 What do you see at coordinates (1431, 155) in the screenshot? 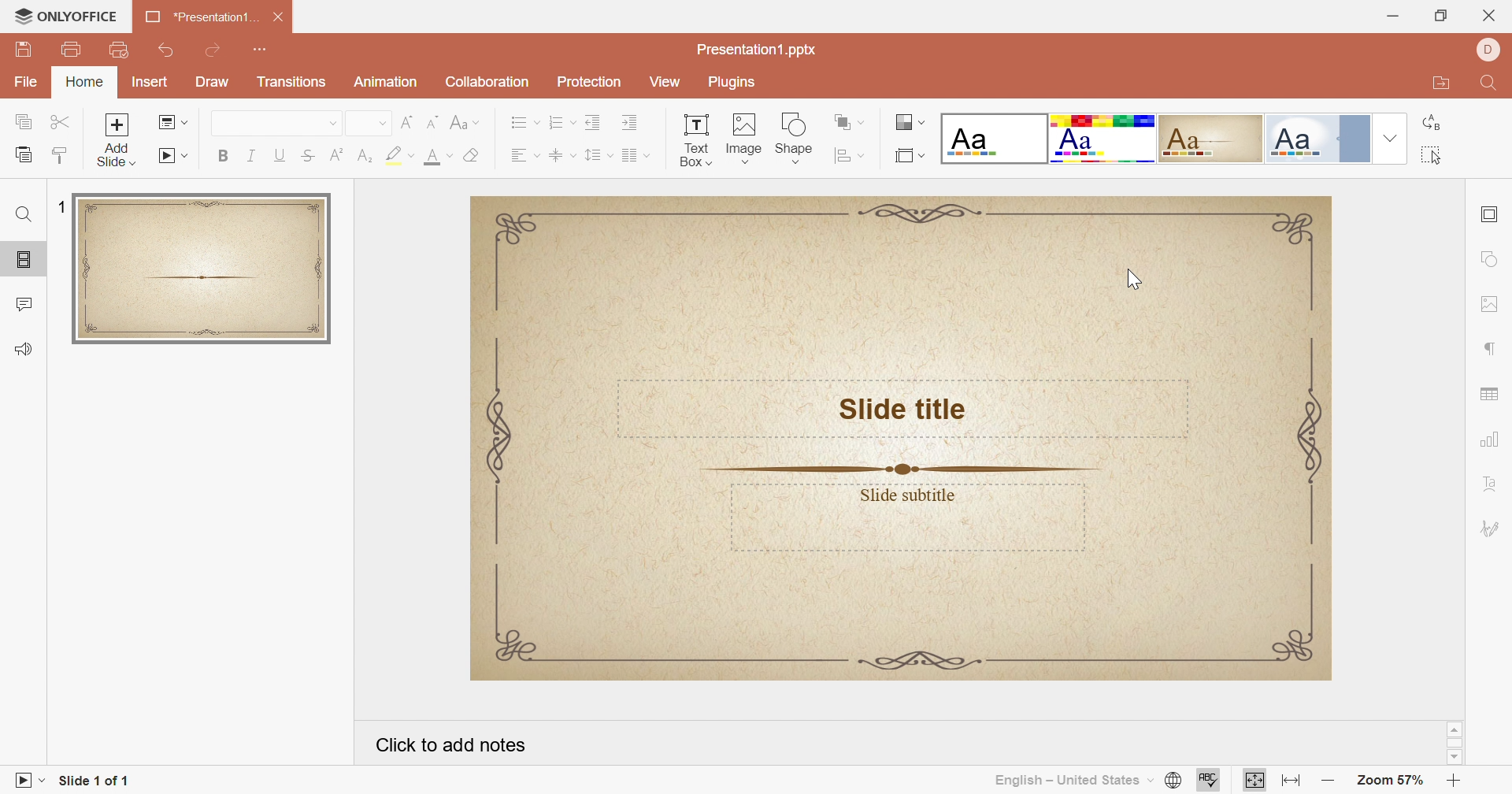
I see `Select all` at bounding box center [1431, 155].